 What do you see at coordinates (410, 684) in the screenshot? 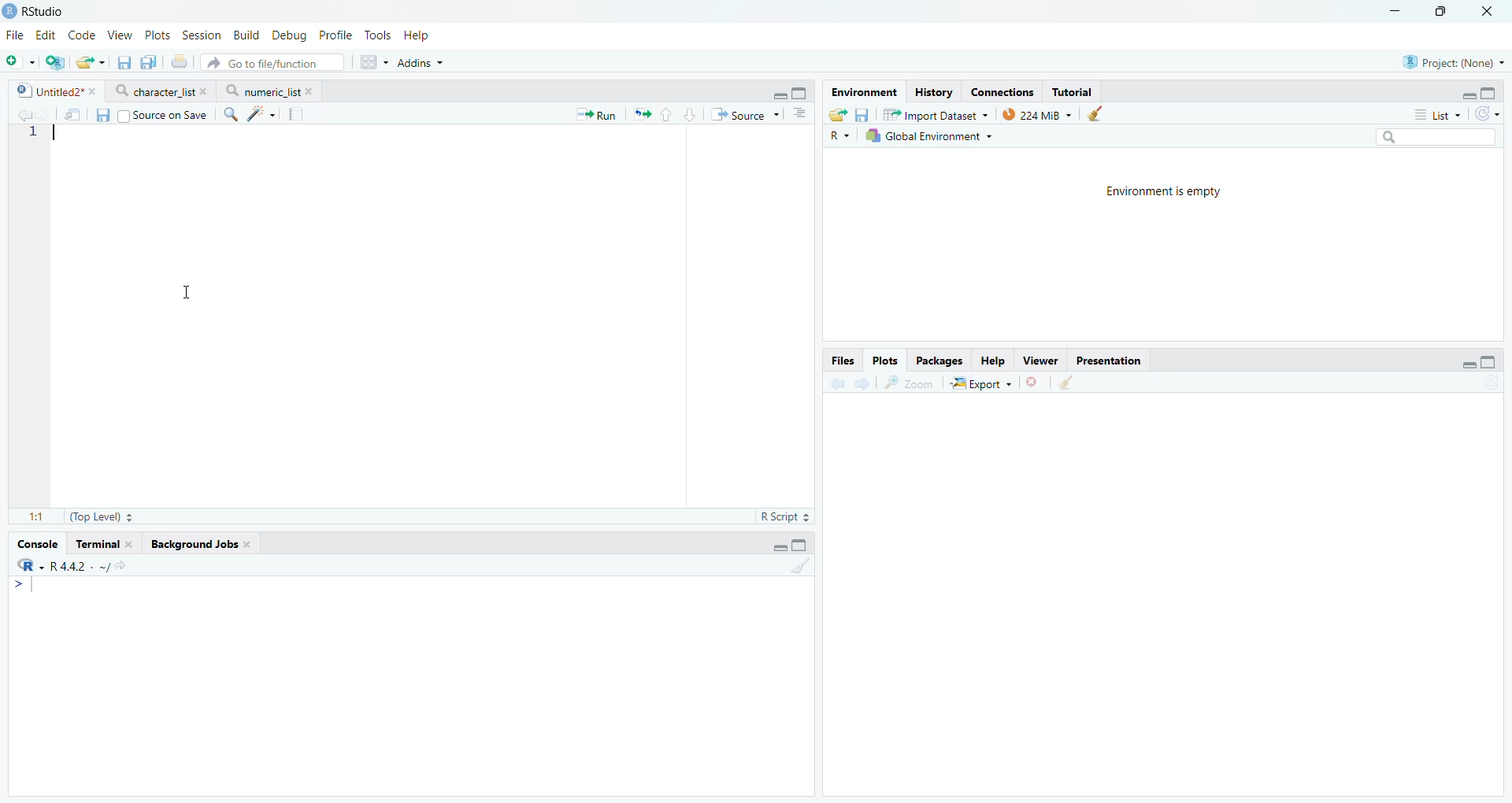
I see `Console` at bounding box center [410, 684].